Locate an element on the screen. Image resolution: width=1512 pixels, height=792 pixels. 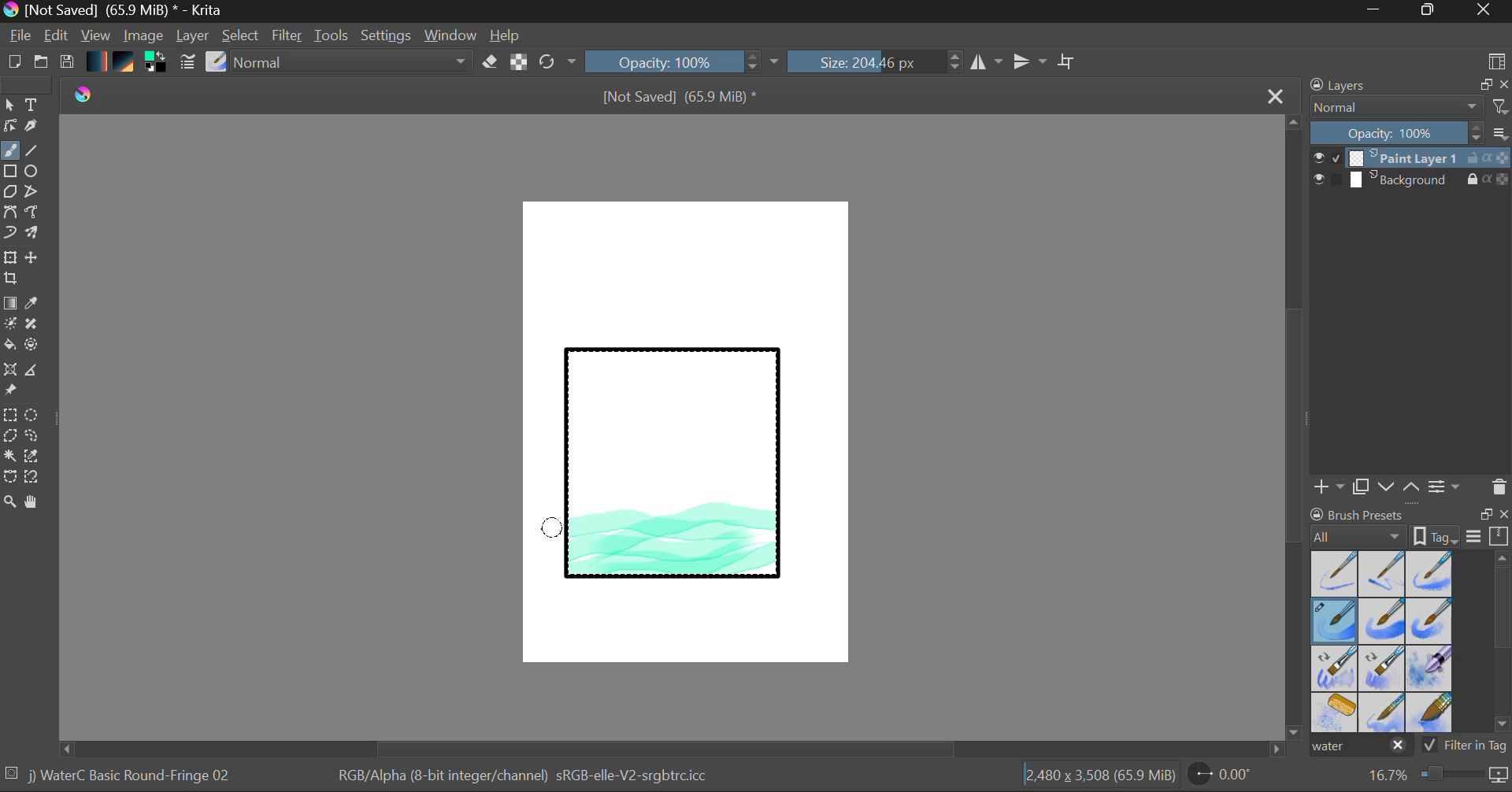
Layers Docket Tab is located at coordinates (1407, 83).